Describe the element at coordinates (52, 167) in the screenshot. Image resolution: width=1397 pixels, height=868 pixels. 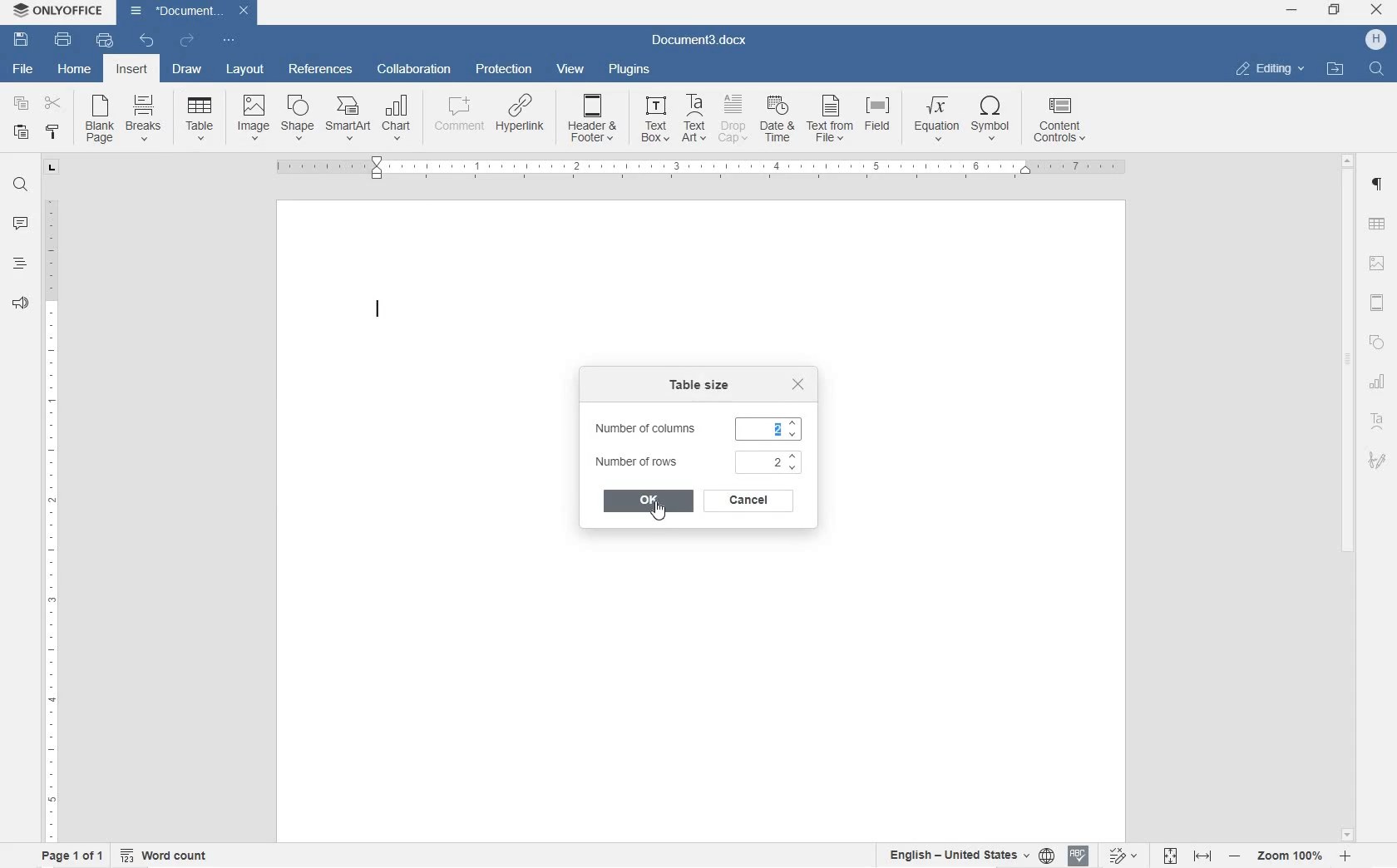
I see `TAB` at that location.